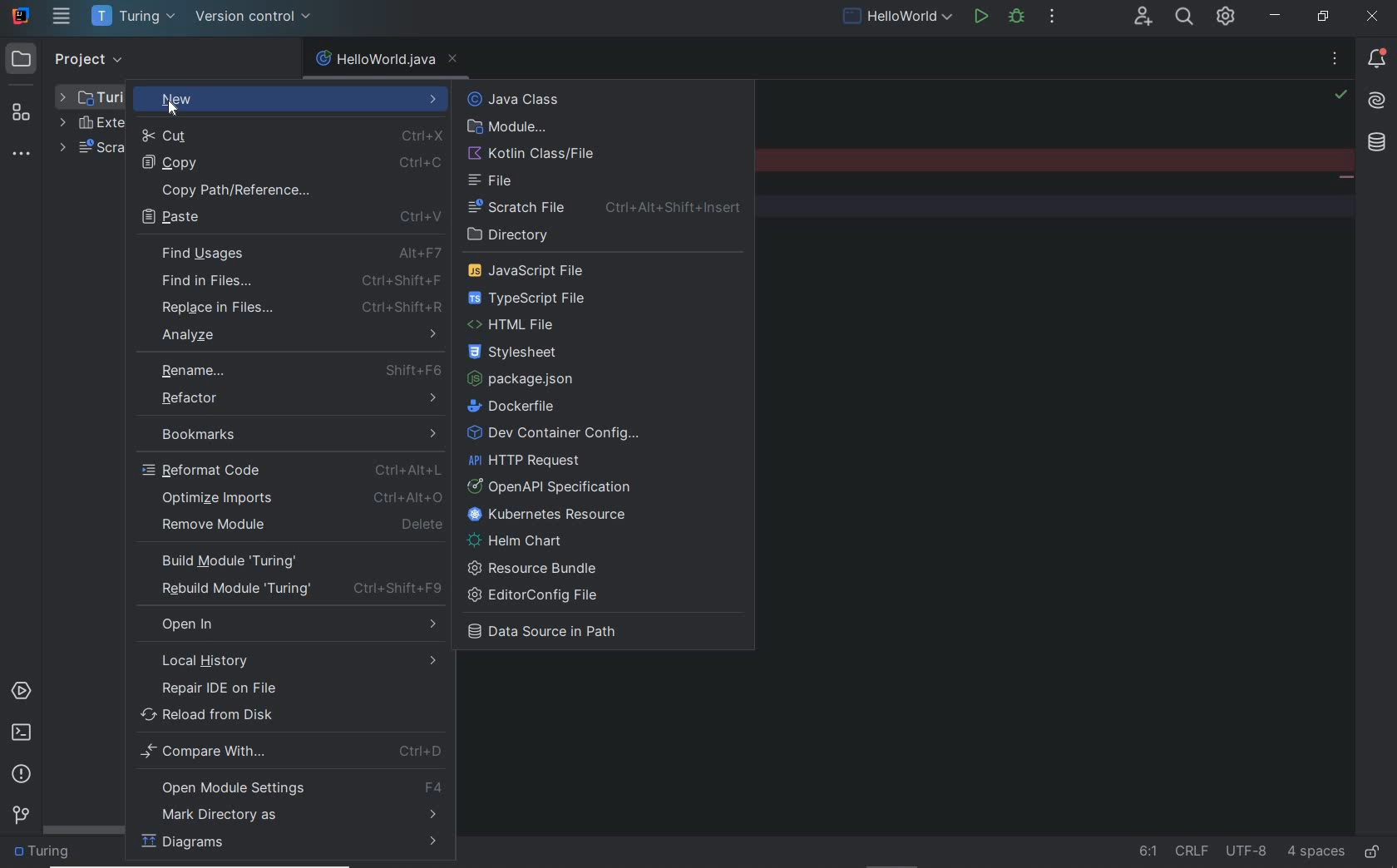  I want to click on new, so click(292, 99).